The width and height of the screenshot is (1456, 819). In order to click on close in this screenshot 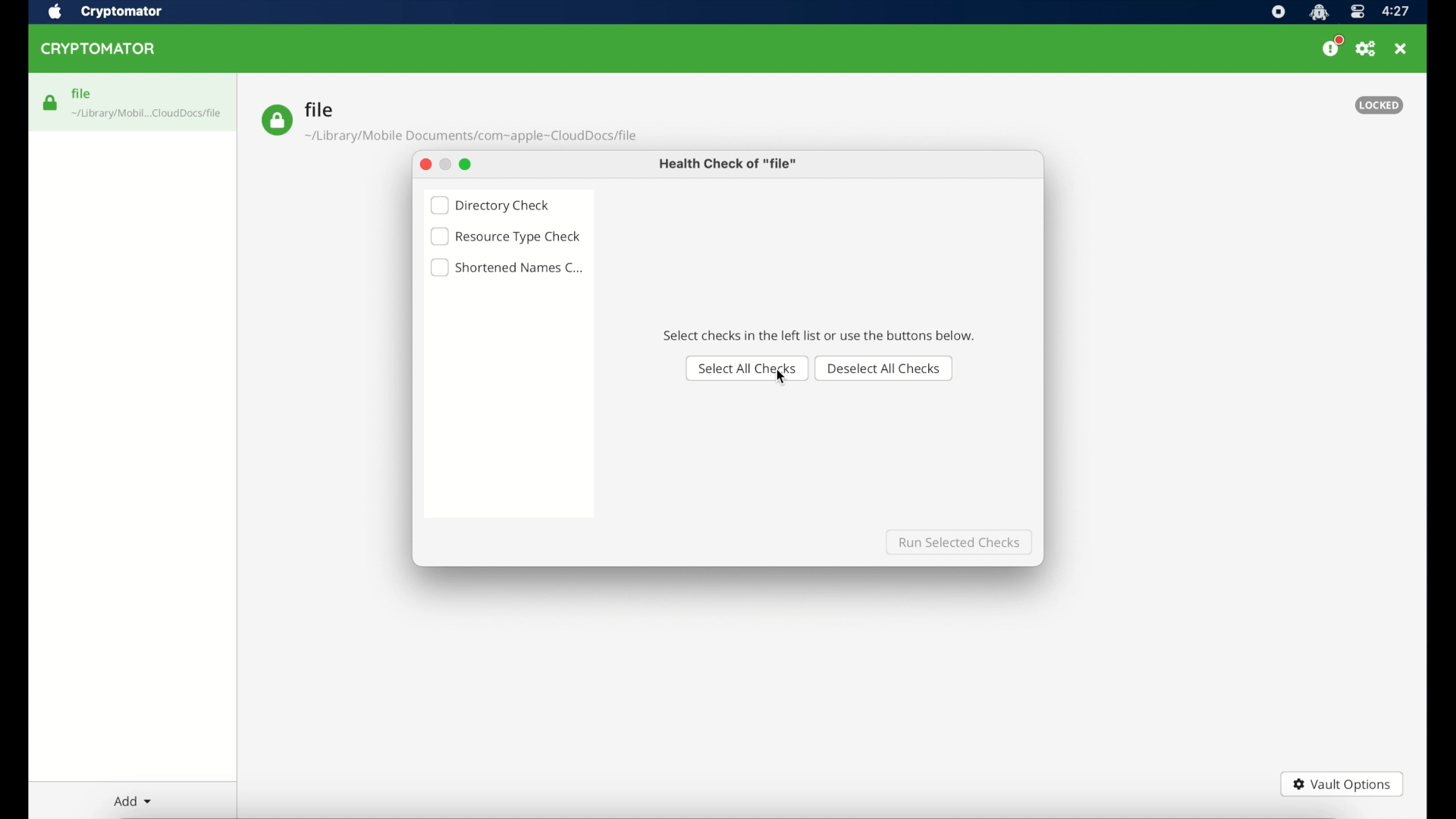, I will do `click(1402, 49)`.